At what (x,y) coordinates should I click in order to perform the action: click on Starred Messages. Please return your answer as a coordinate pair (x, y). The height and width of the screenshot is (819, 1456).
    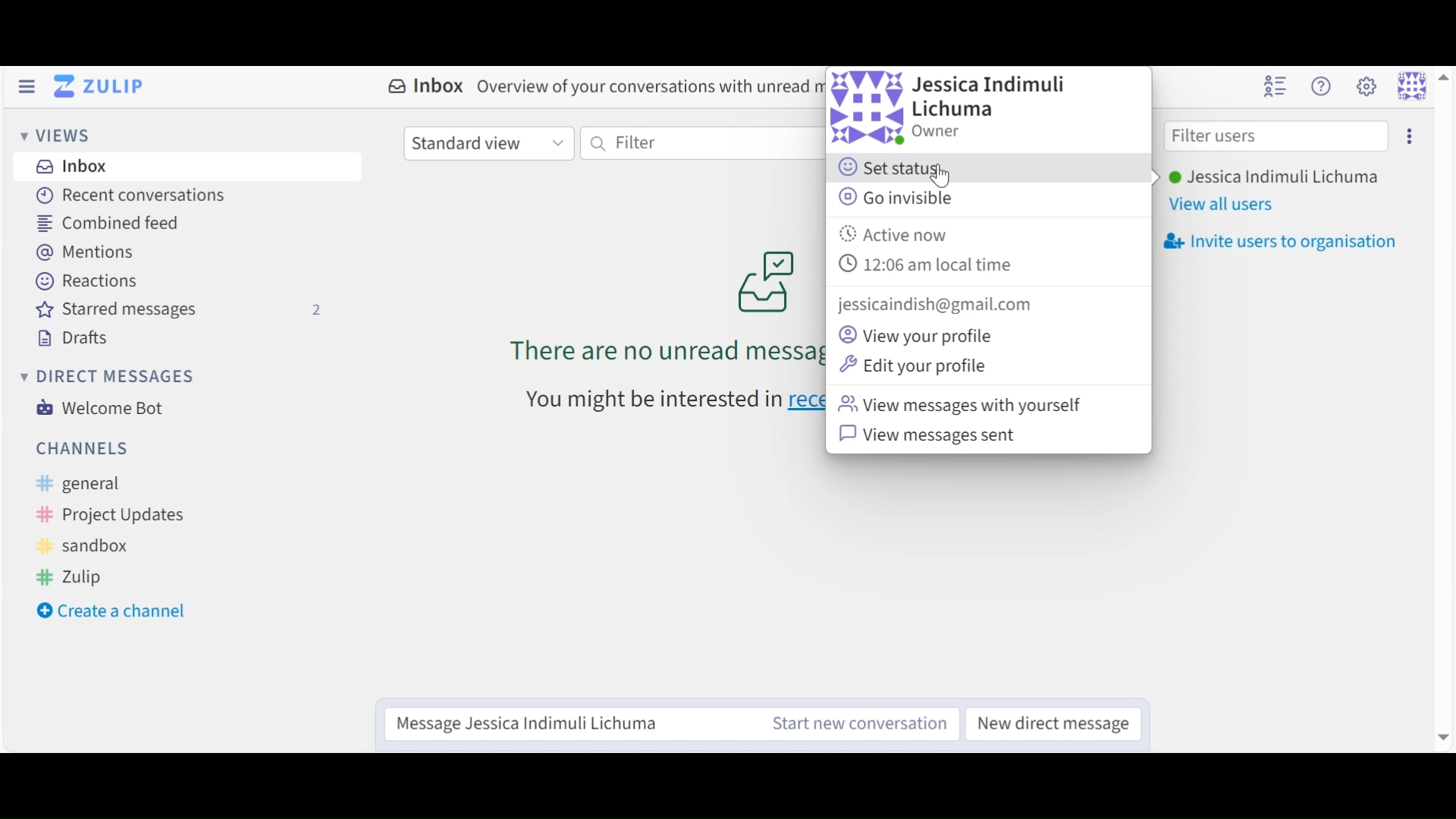
    Looking at the image, I should click on (180, 311).